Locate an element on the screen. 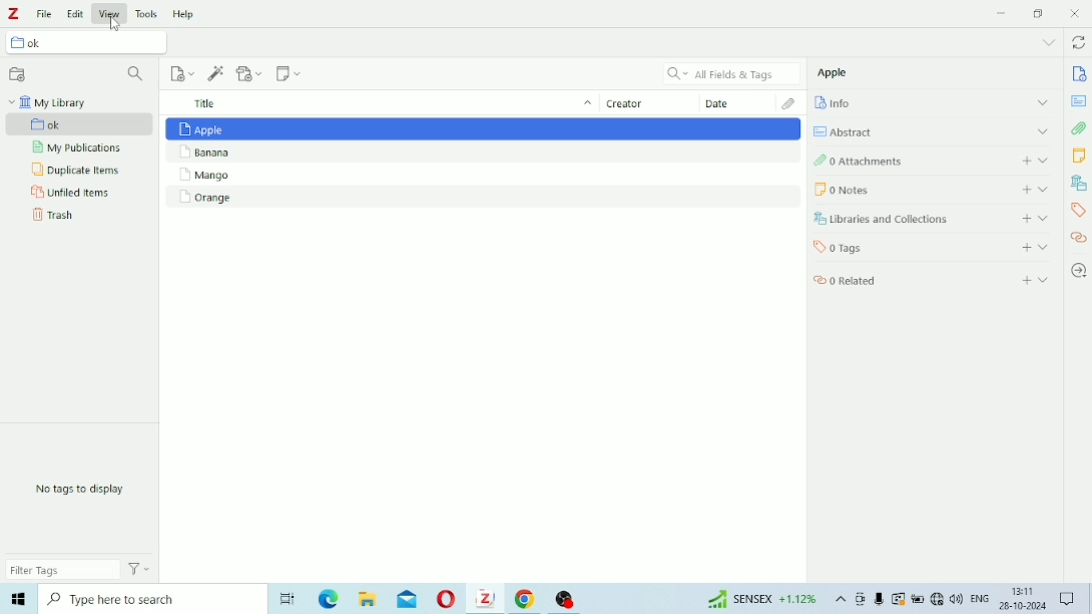 The image size is (1092, 614). Google Chrome is located at coordinates (526, 600).